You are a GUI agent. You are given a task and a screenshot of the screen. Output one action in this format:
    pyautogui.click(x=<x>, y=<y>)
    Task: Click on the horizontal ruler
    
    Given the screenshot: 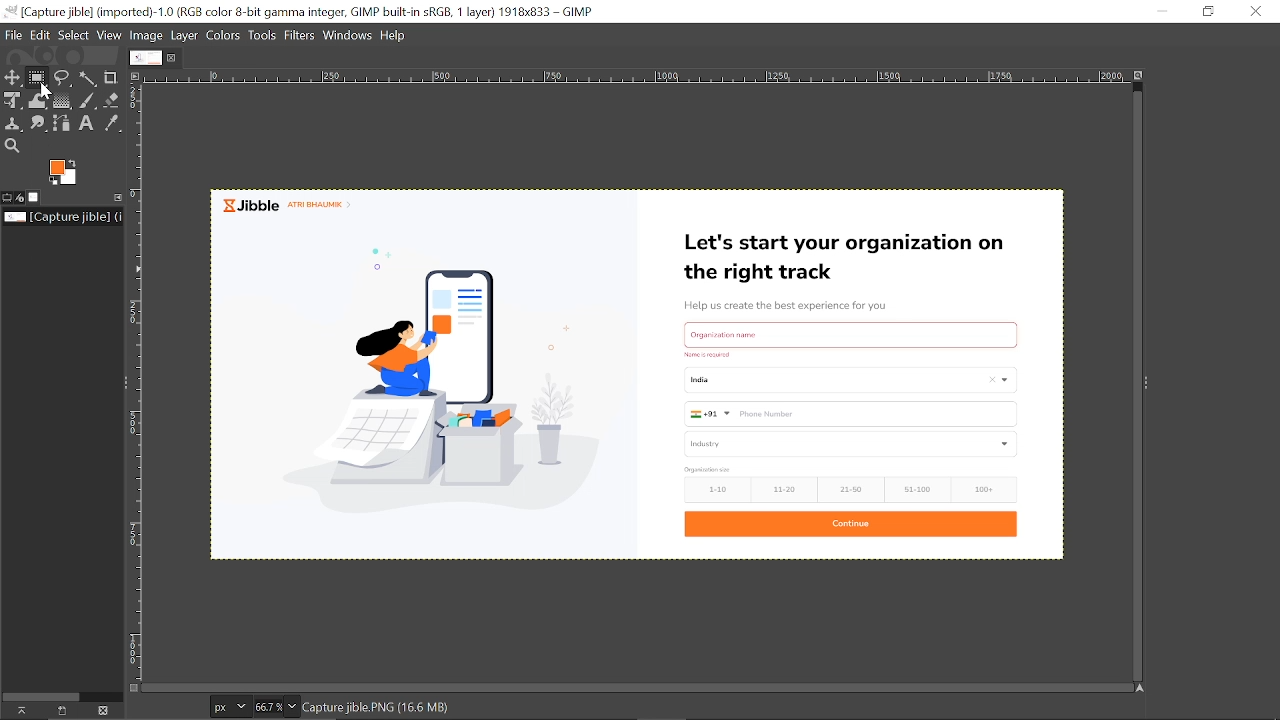 What is the action you would take?
    pyautogui.click(x=629, y=77)
    